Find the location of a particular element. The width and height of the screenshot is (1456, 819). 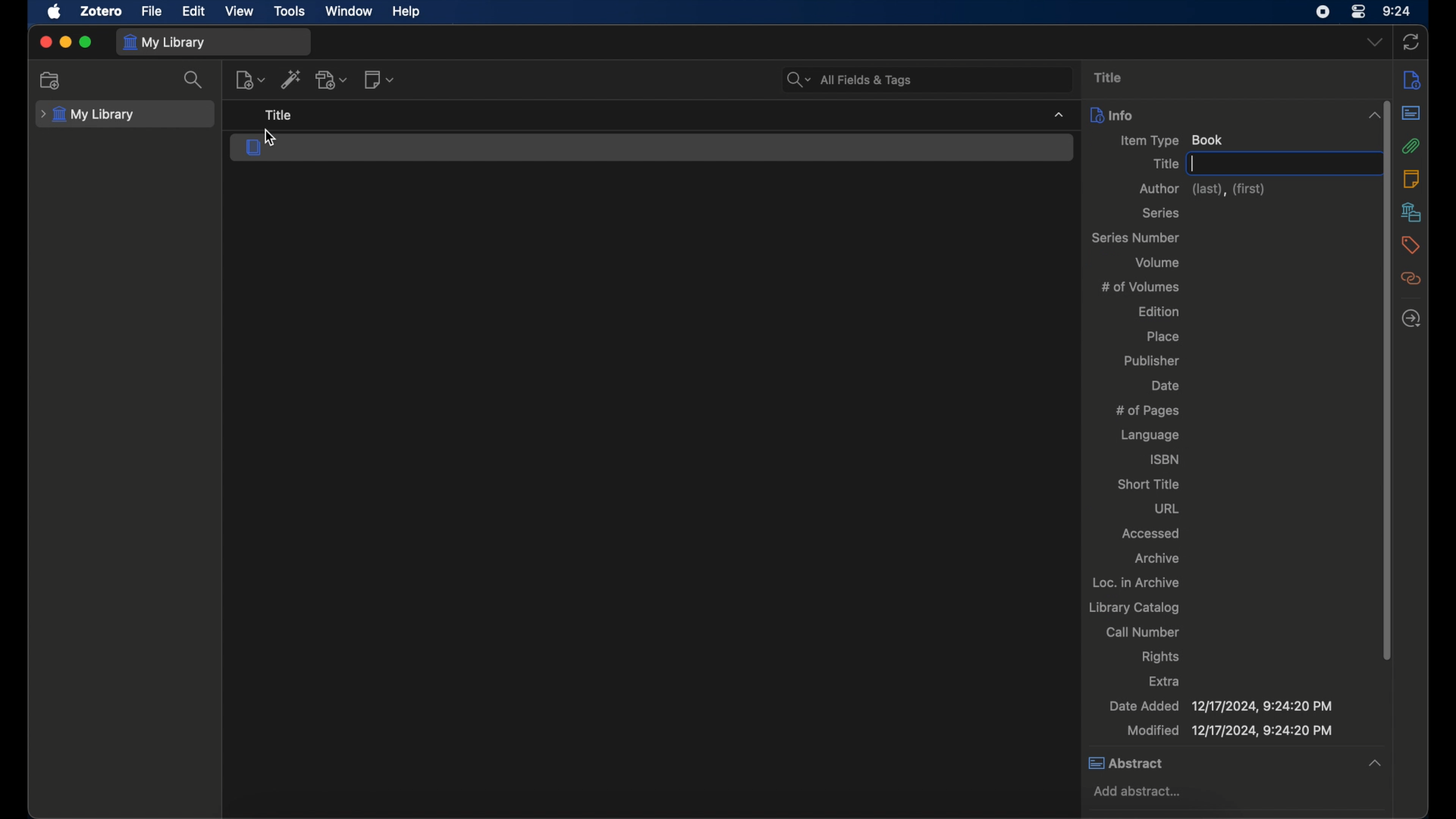

volume is located at coordinates (1159, 262).